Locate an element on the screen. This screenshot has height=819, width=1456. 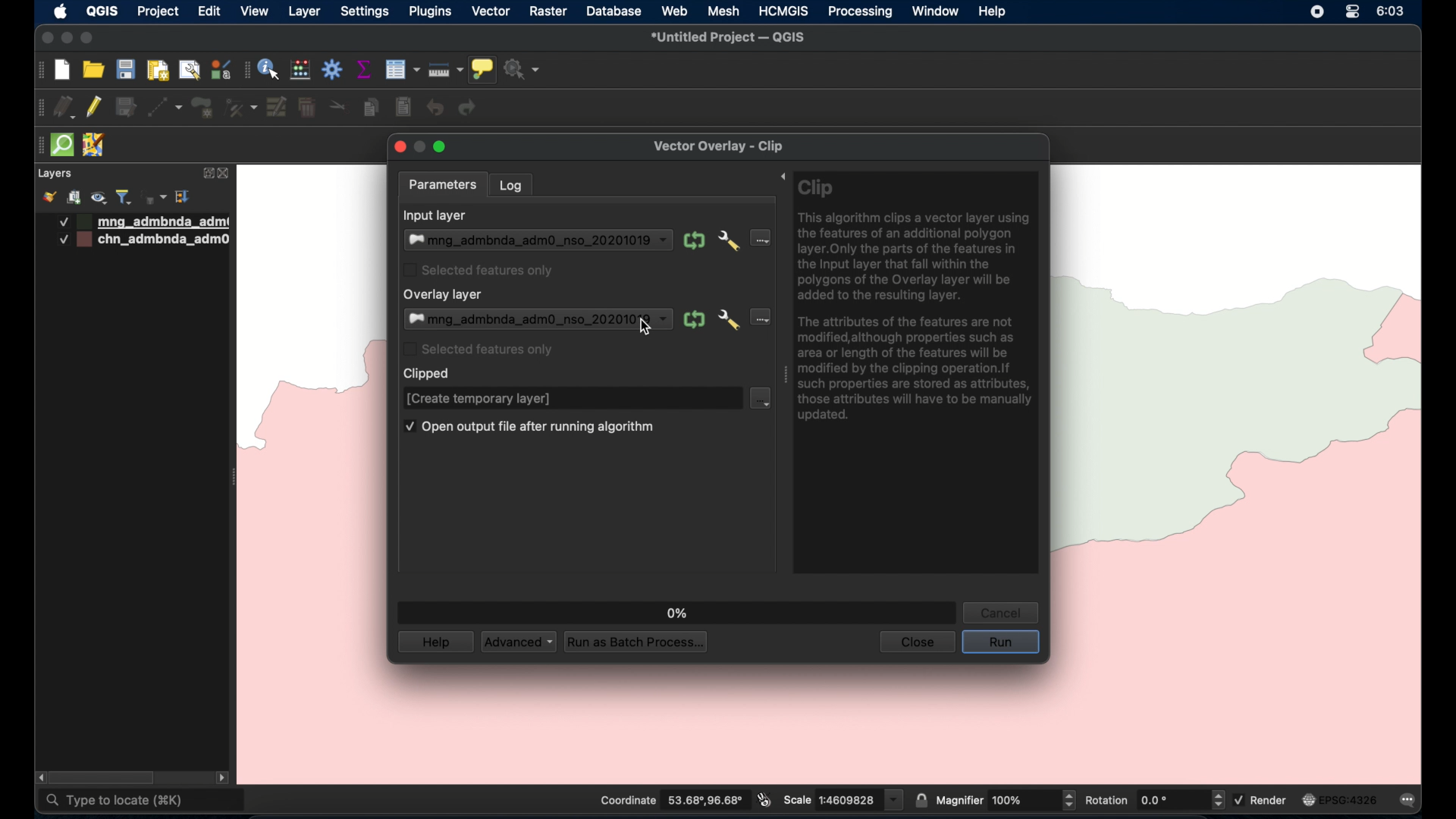
project toolbar is located at coordinates (39, 71).